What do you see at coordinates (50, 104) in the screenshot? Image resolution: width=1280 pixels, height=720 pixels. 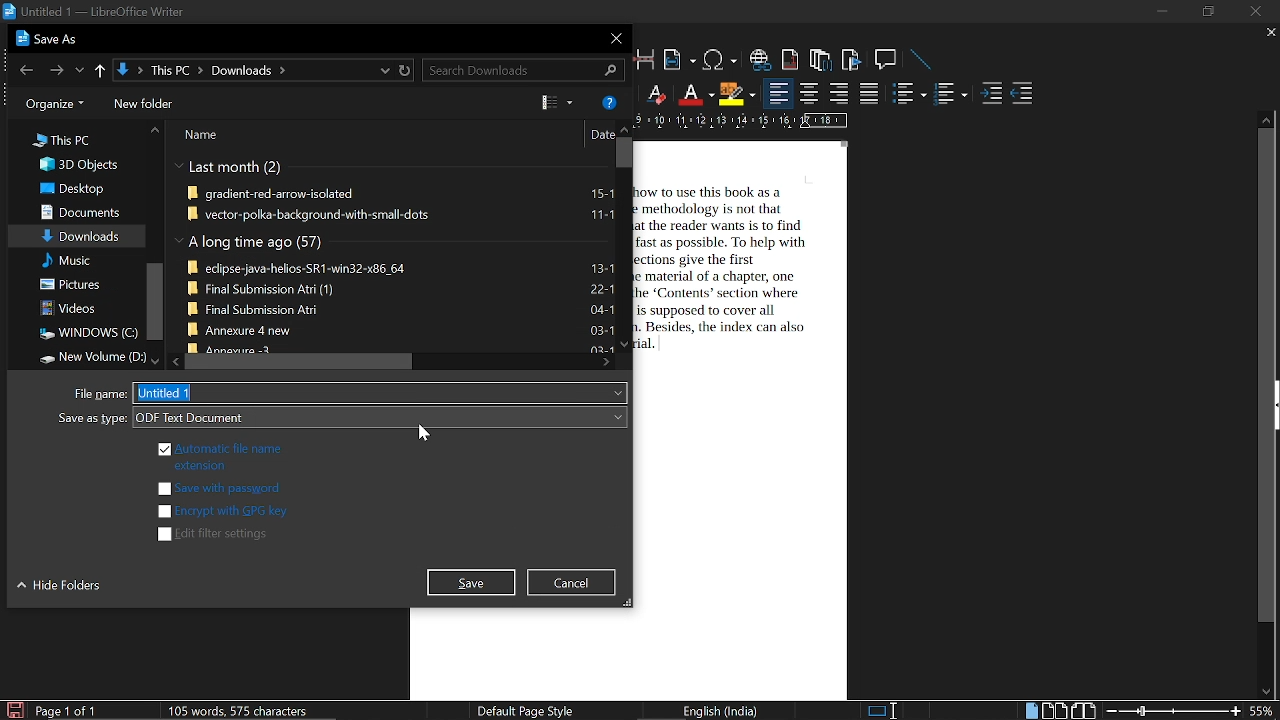 I see `organize` at bounding box center [50, 104].